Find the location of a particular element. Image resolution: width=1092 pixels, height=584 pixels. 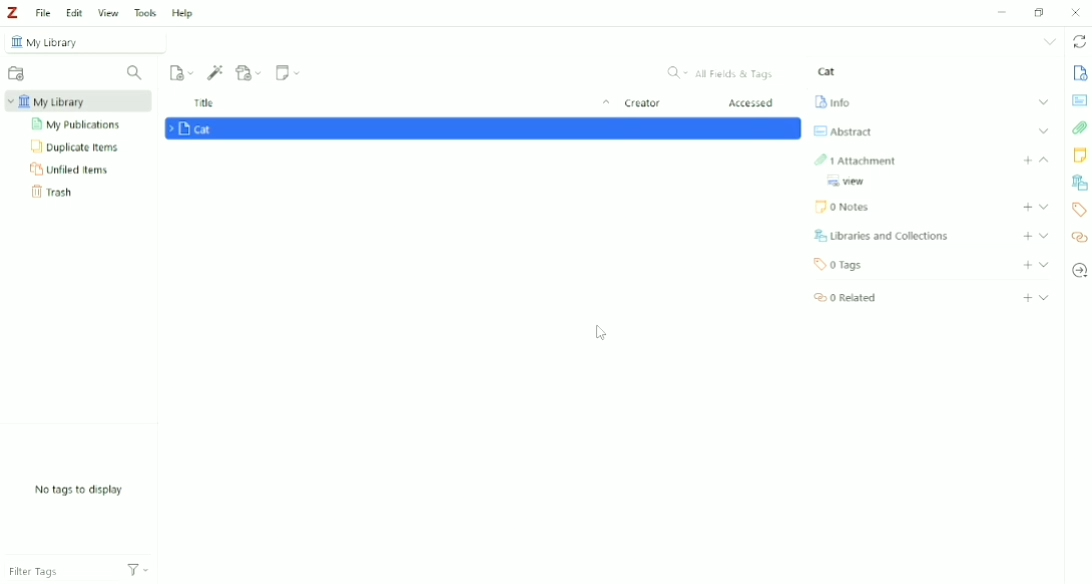

Close is located at coordinates (1075, 12).